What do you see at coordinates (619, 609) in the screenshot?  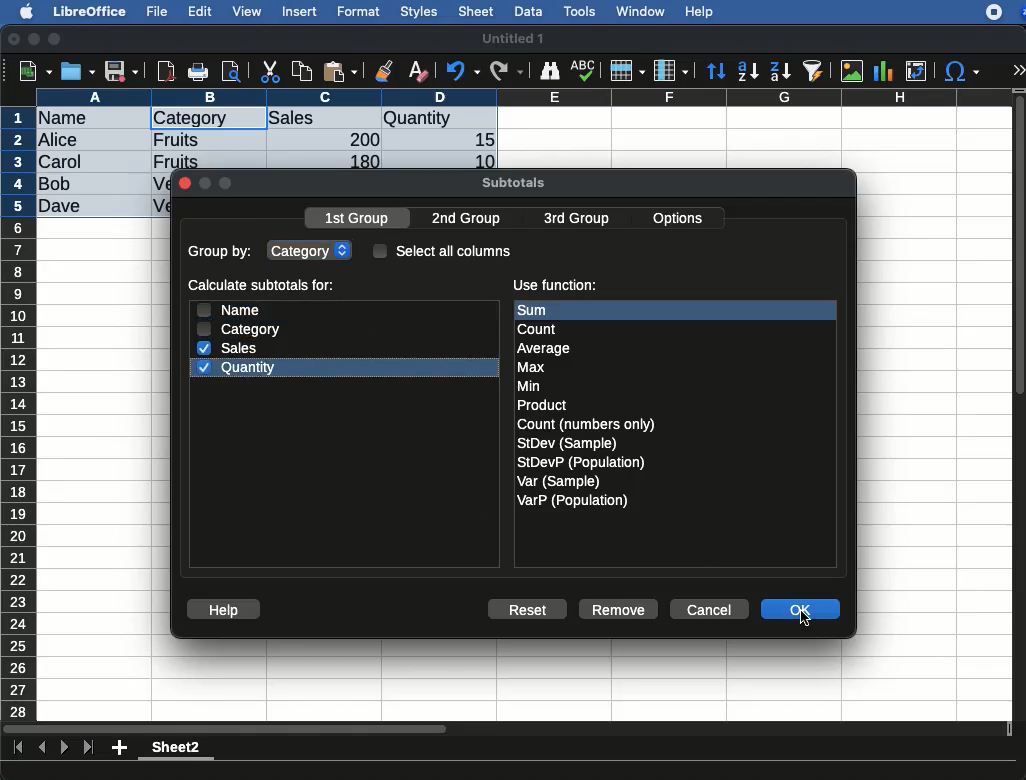 I see `remove` at bounding box center [619, 609].